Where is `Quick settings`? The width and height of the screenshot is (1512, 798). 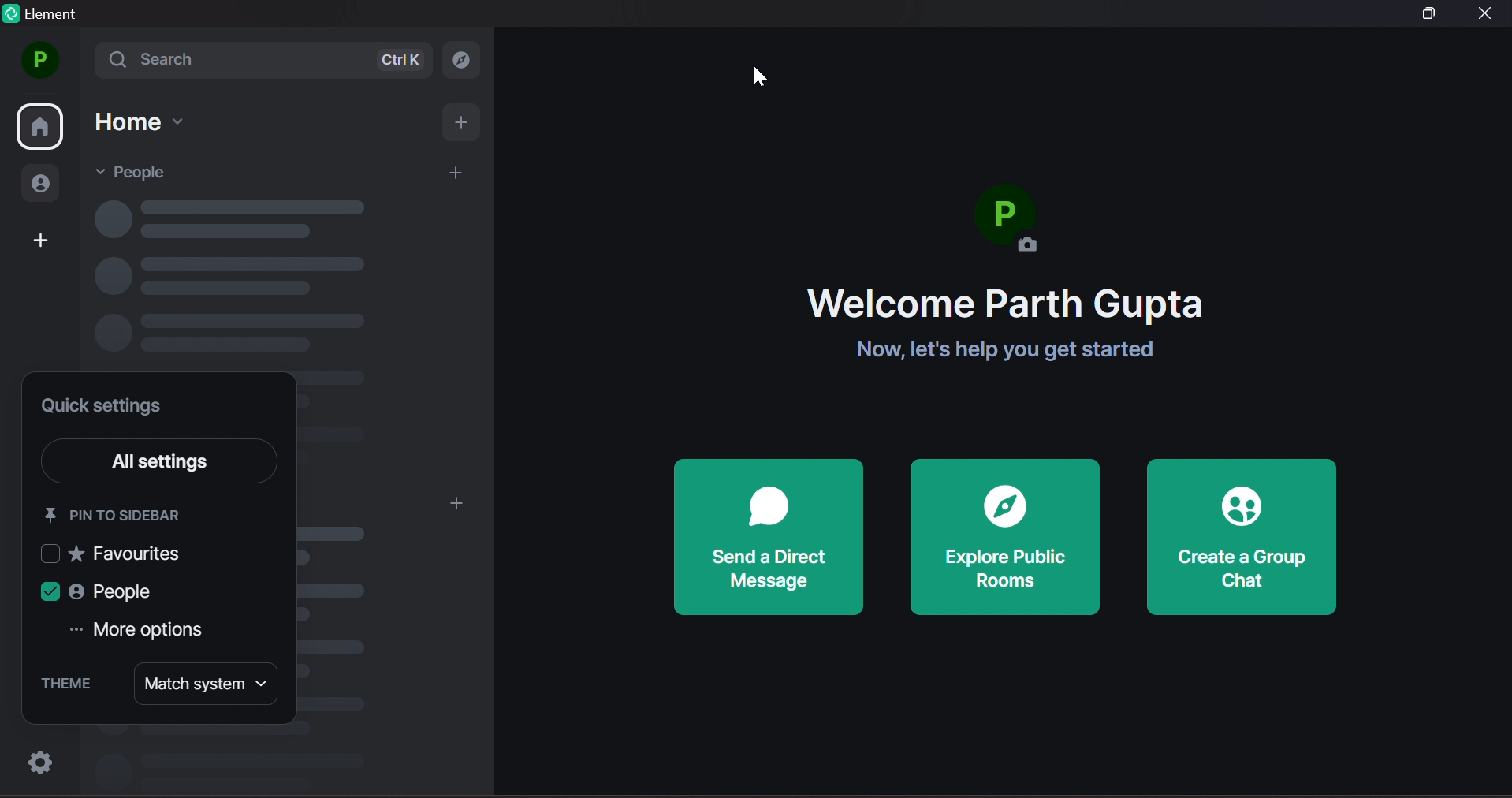 Quick settings is located at coordinates (106, 408).